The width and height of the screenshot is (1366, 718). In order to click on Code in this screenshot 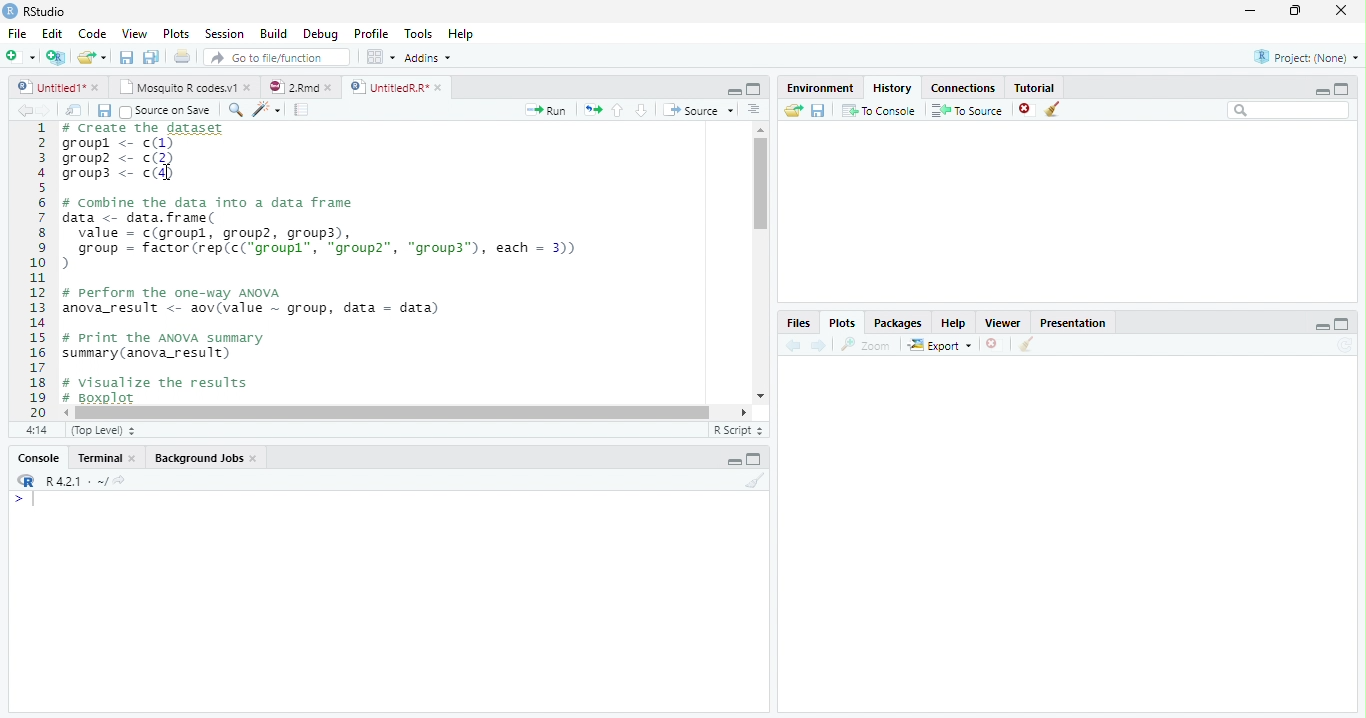, I will do `click(90, 34)`.